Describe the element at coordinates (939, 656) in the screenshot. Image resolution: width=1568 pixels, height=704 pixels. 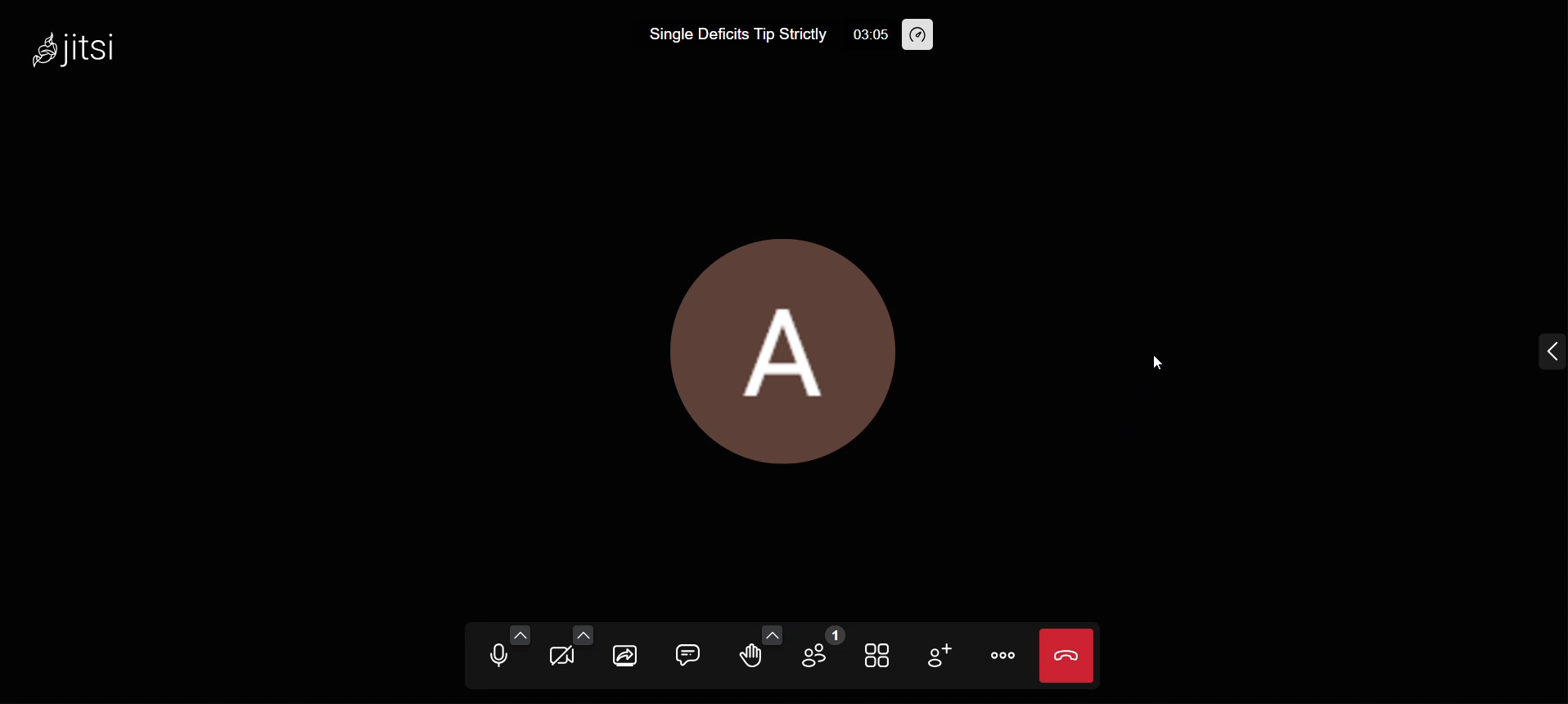
I see `invite people` at that location.